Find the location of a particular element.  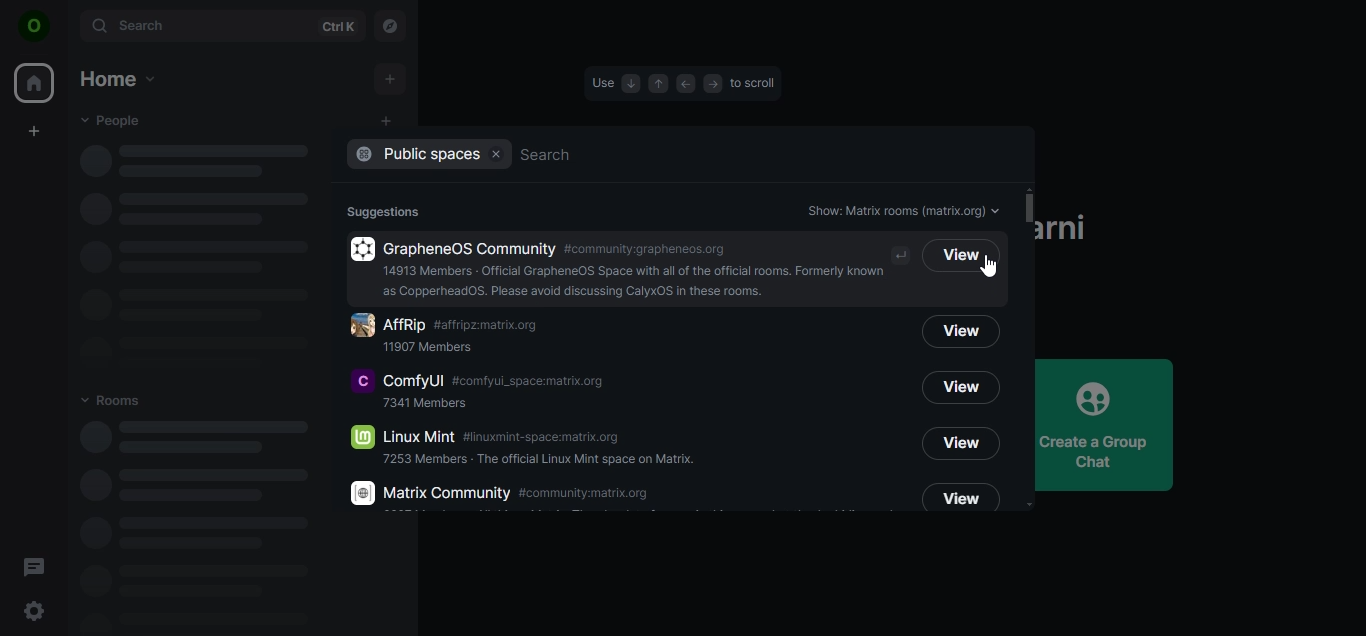

people is located at coordinates (112, 121).